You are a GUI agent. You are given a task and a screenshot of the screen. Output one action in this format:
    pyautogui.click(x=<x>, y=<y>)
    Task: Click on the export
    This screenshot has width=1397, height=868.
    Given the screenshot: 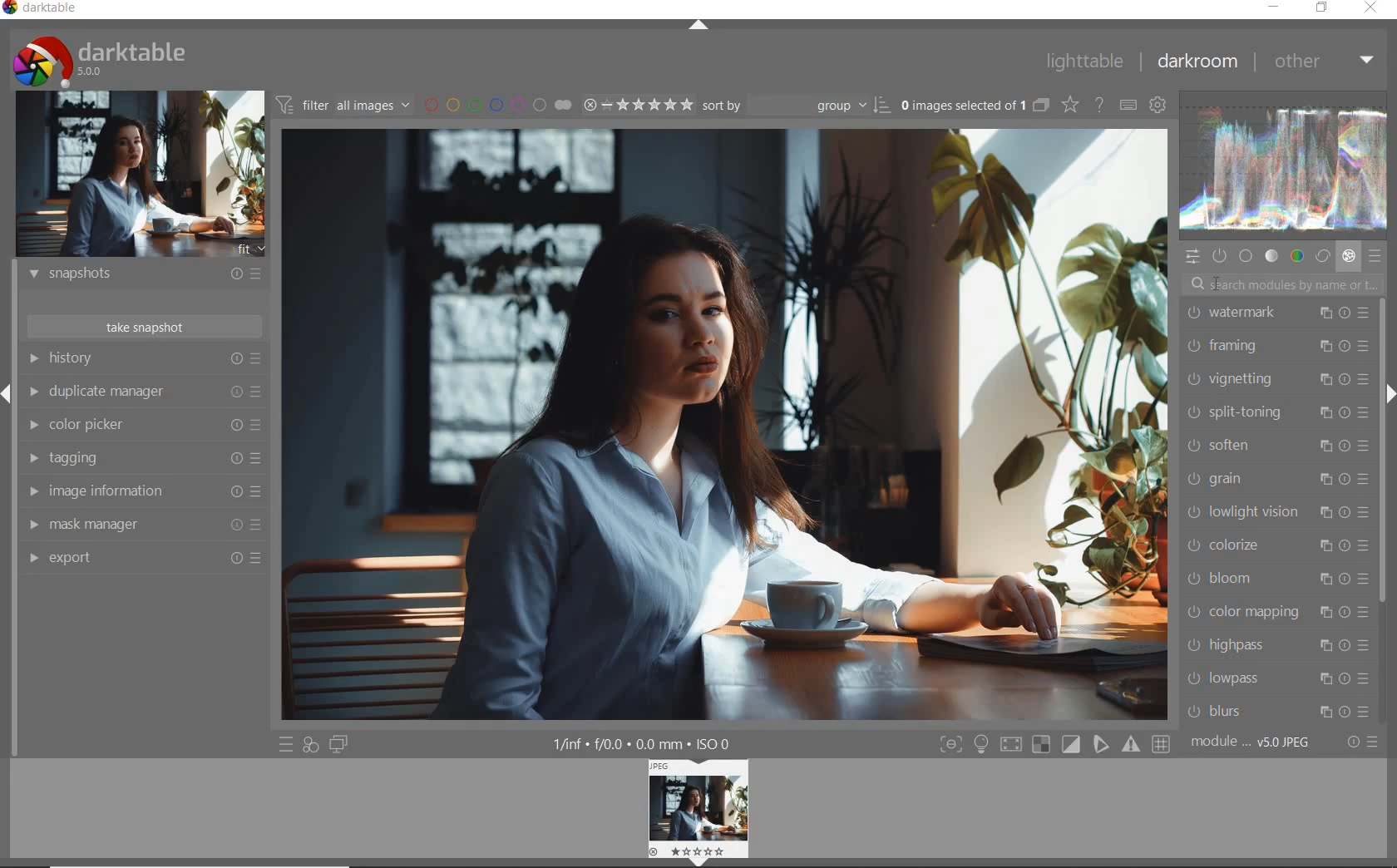 What is the action you would take?
    pyautogui.click(x=144, y=557)
    